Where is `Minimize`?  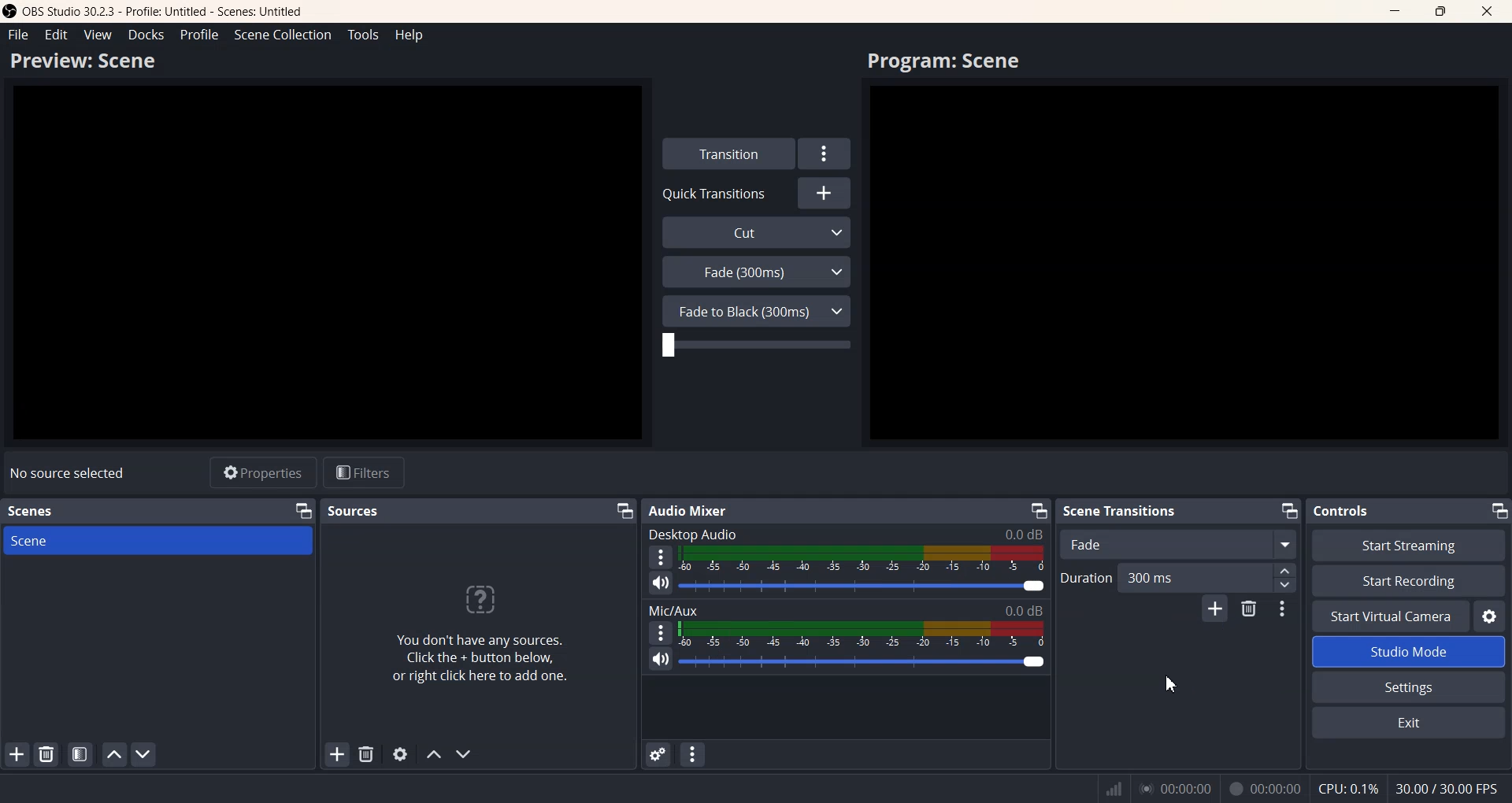
Minimize is located at coordinates (1499, 511).